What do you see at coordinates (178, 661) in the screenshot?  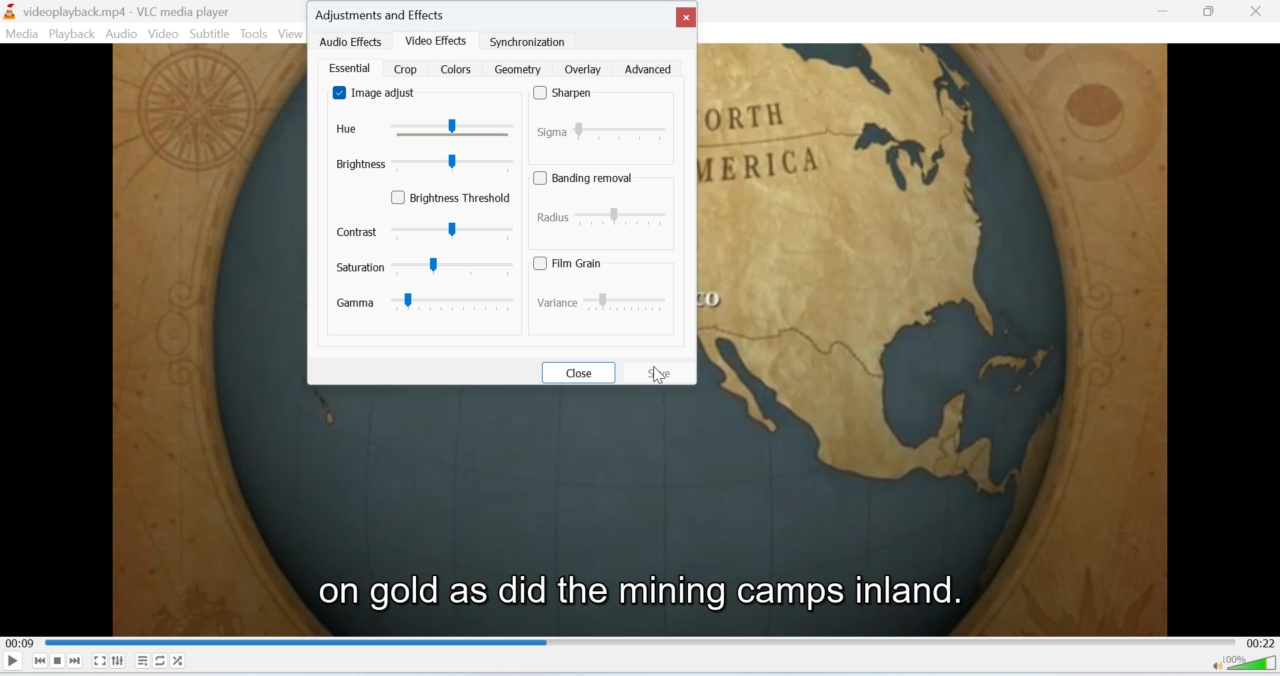 I see `Shuffle` at bounding box center [178, 661].